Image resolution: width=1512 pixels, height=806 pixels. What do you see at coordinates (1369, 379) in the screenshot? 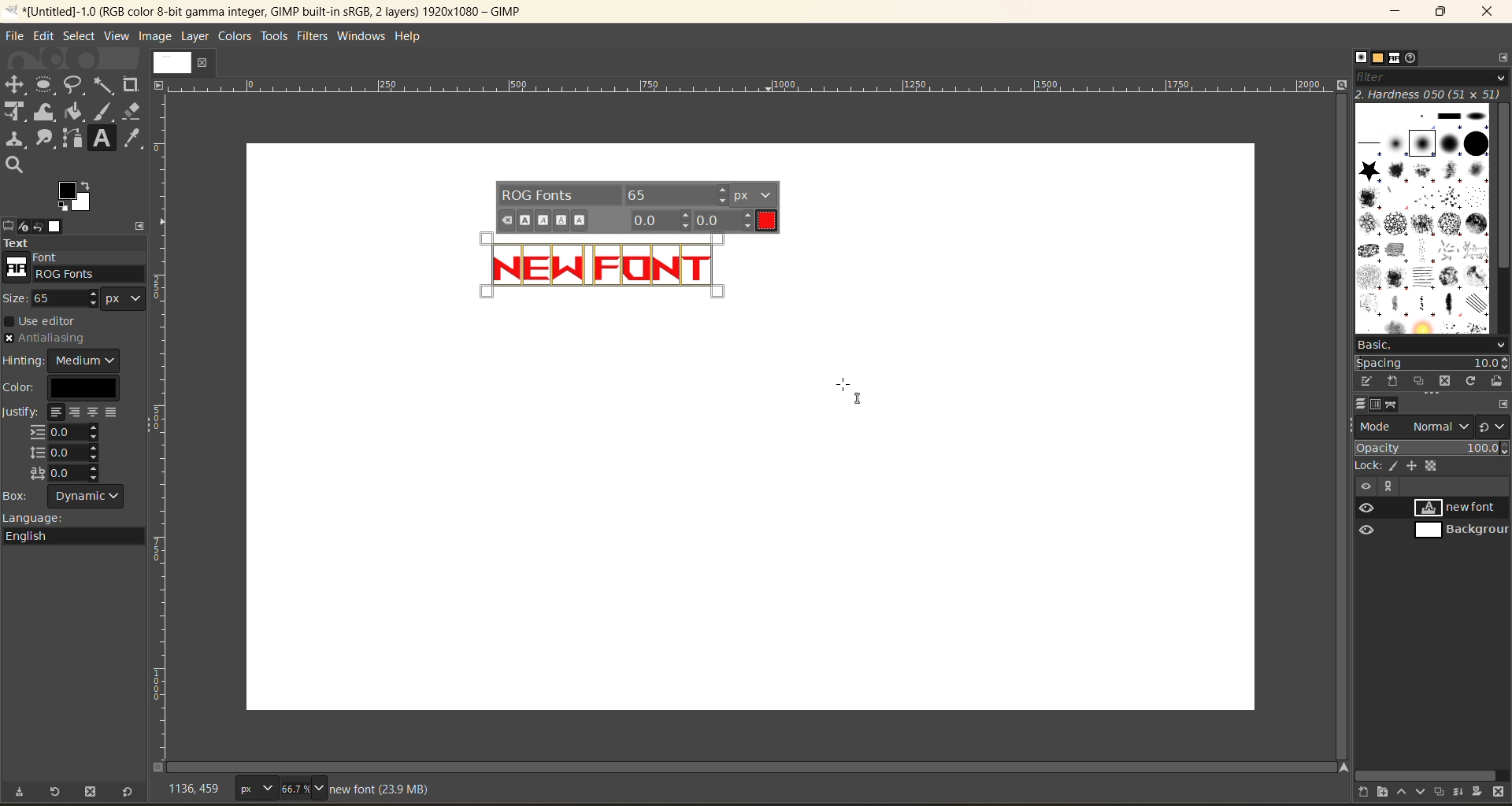
I see `edit this brush` at bounding box center [1369, 379].